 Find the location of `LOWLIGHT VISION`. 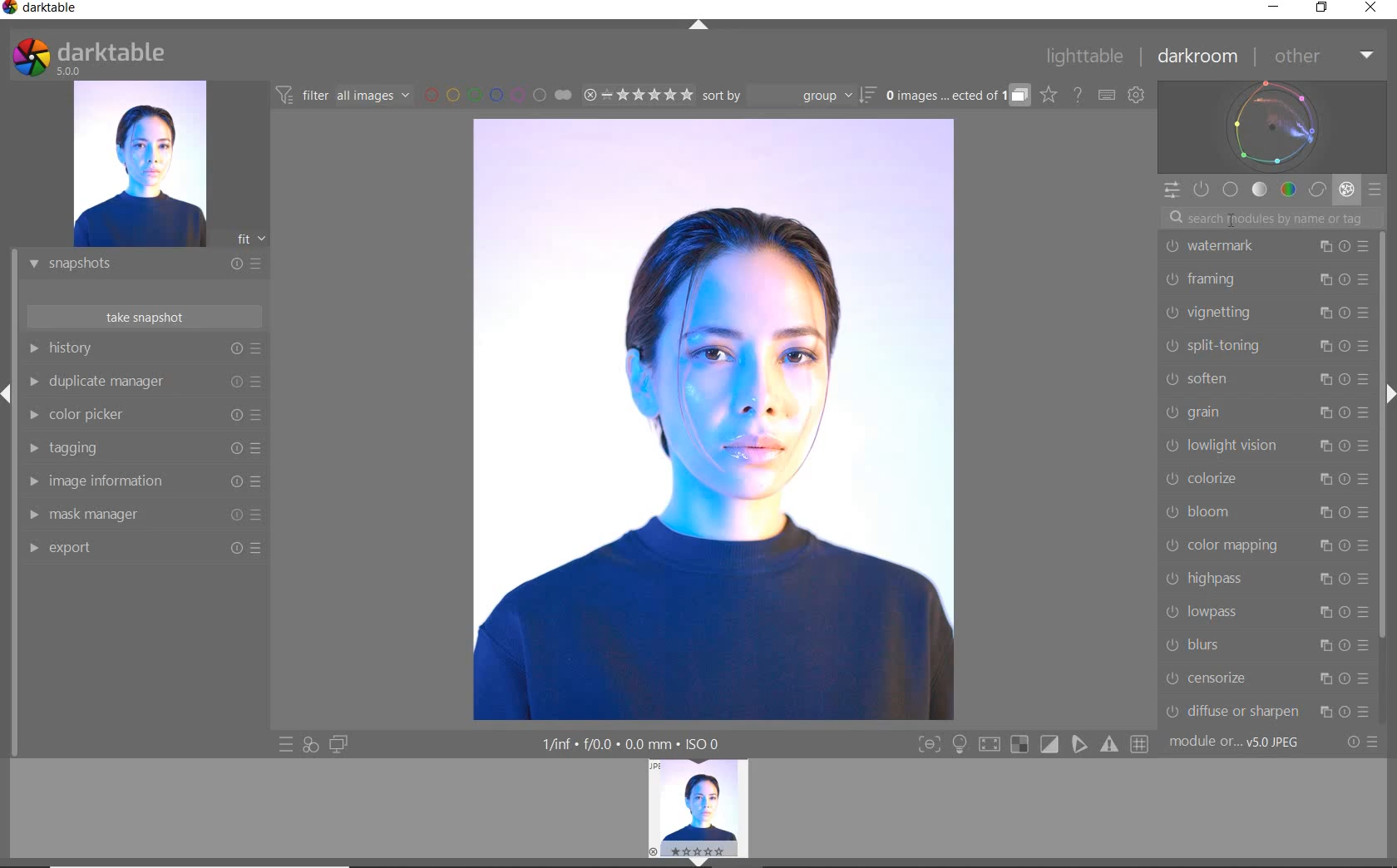

LOWLIGHT VISION is located at coordinates (1266, 446).